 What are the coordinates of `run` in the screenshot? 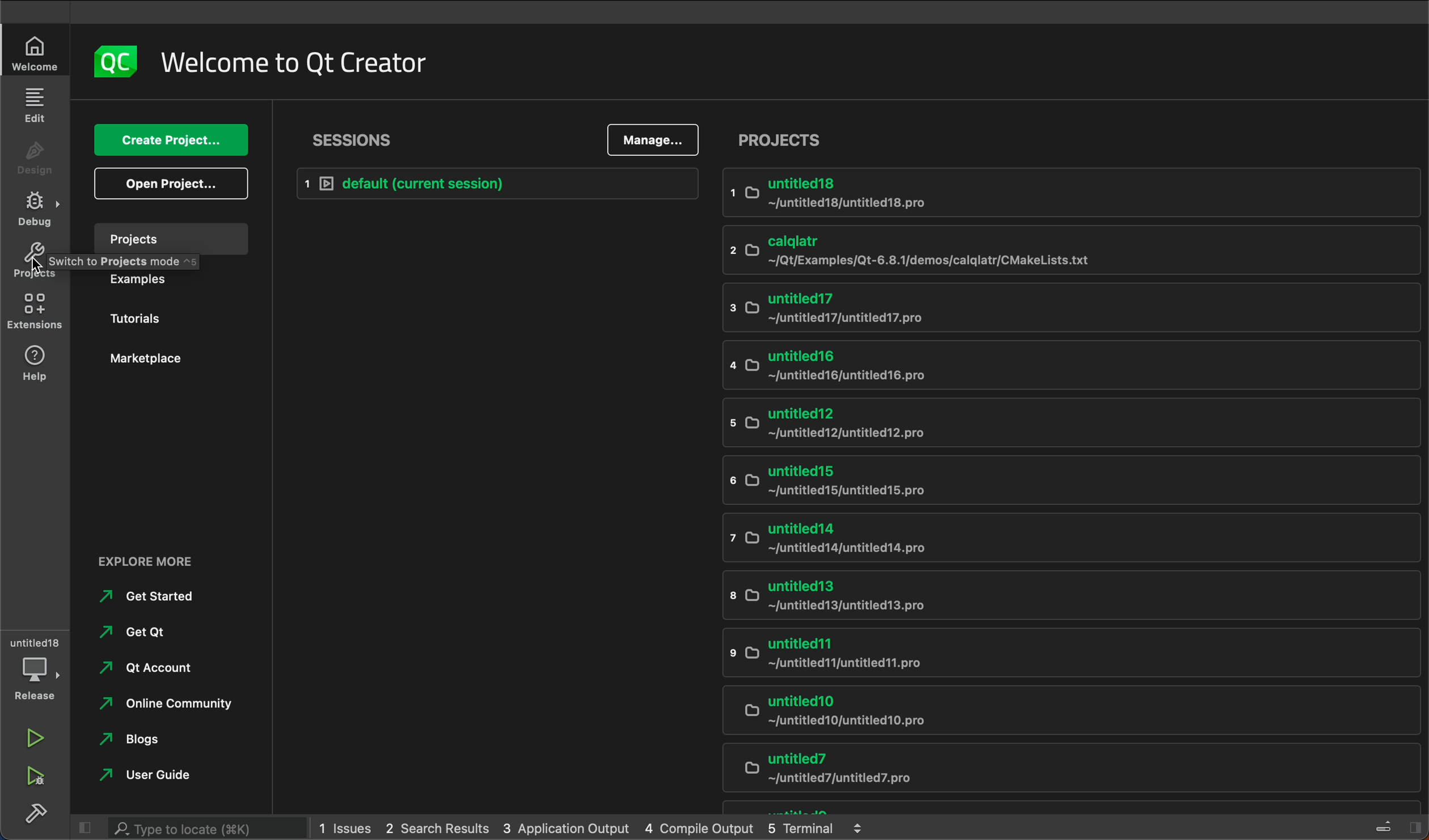 It's located at (32, 740).